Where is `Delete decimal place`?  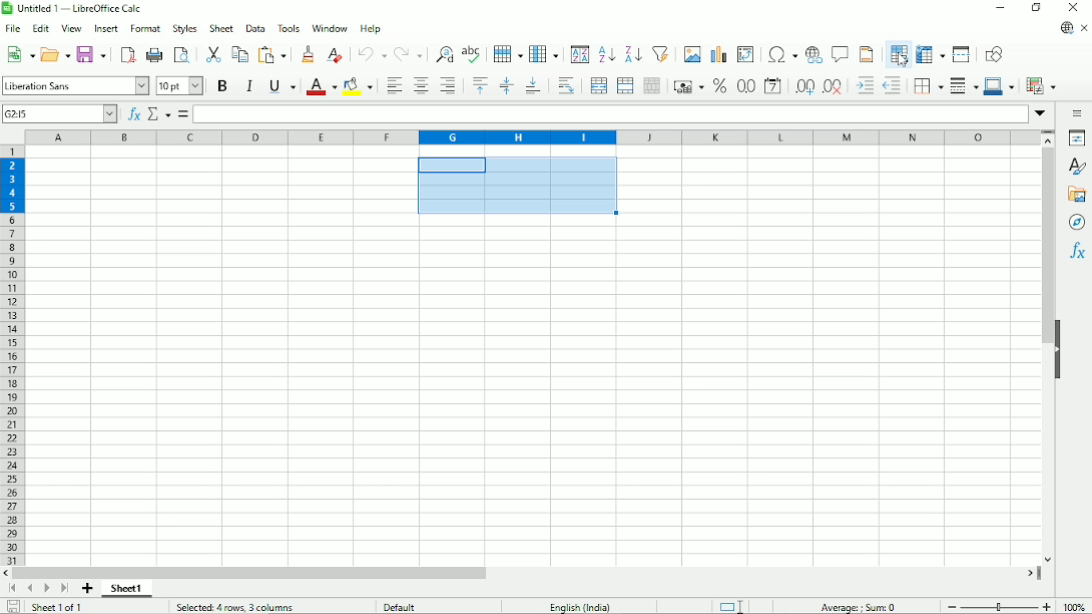 Delete decimal place is located at coordinates (833, 88).